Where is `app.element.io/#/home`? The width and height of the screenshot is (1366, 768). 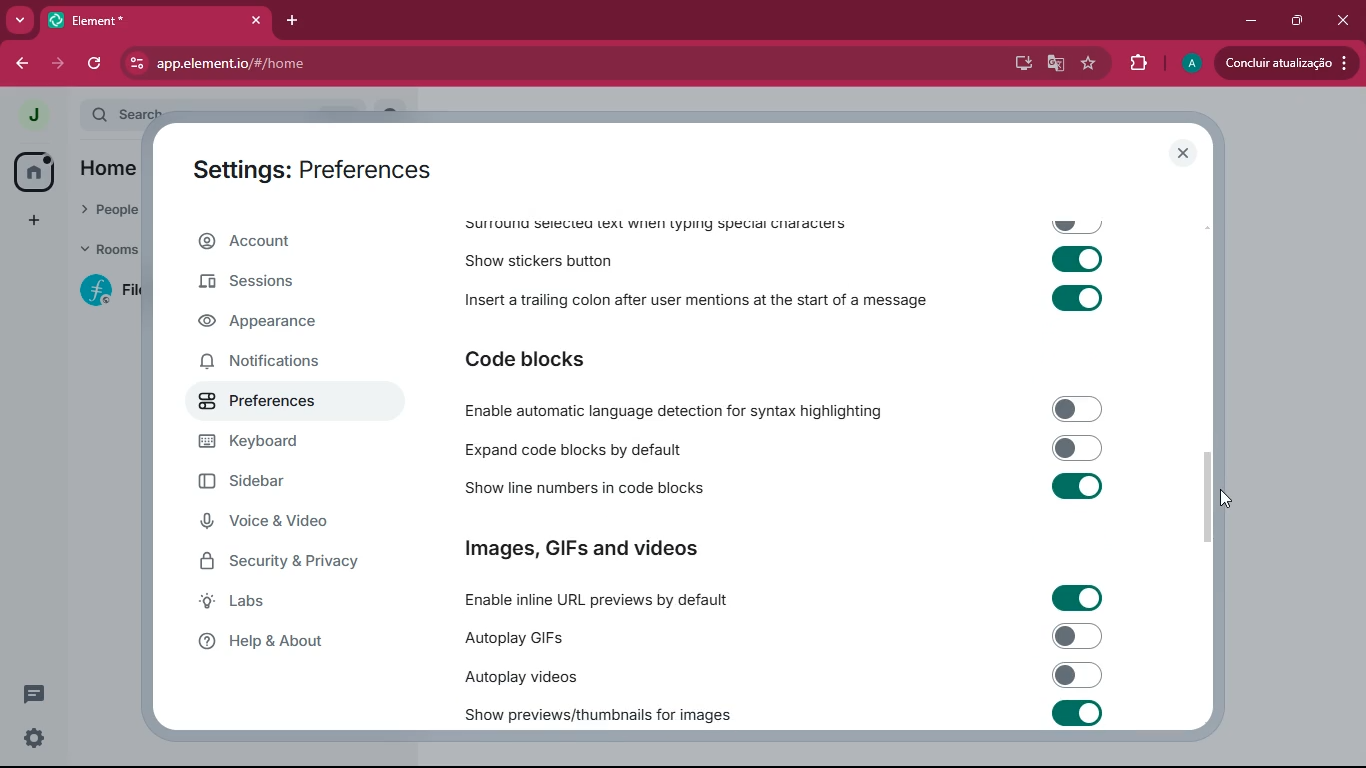 app.element.io/#/home is located at coordinates (289, 63).